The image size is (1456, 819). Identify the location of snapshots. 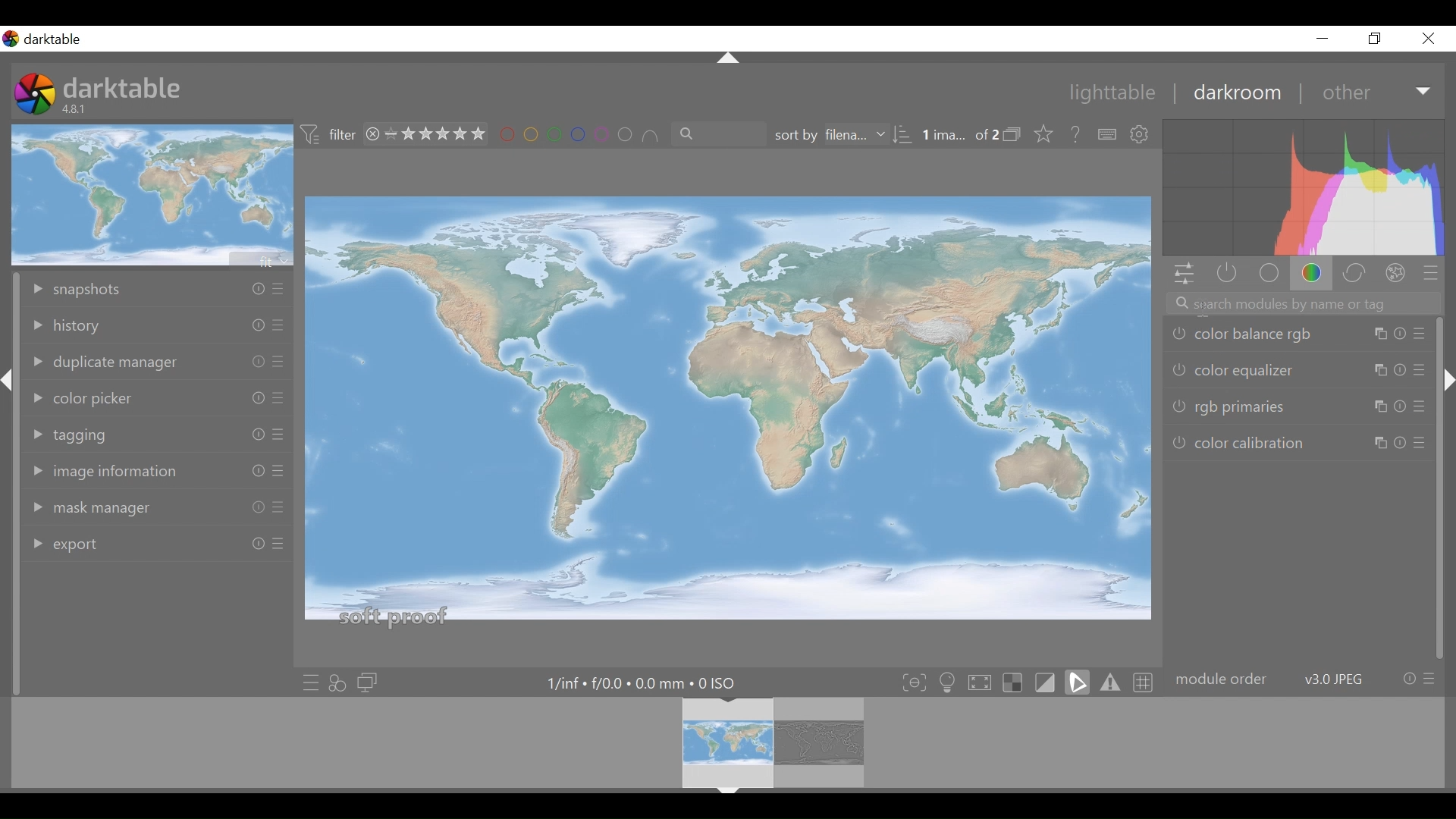
(157, 287).